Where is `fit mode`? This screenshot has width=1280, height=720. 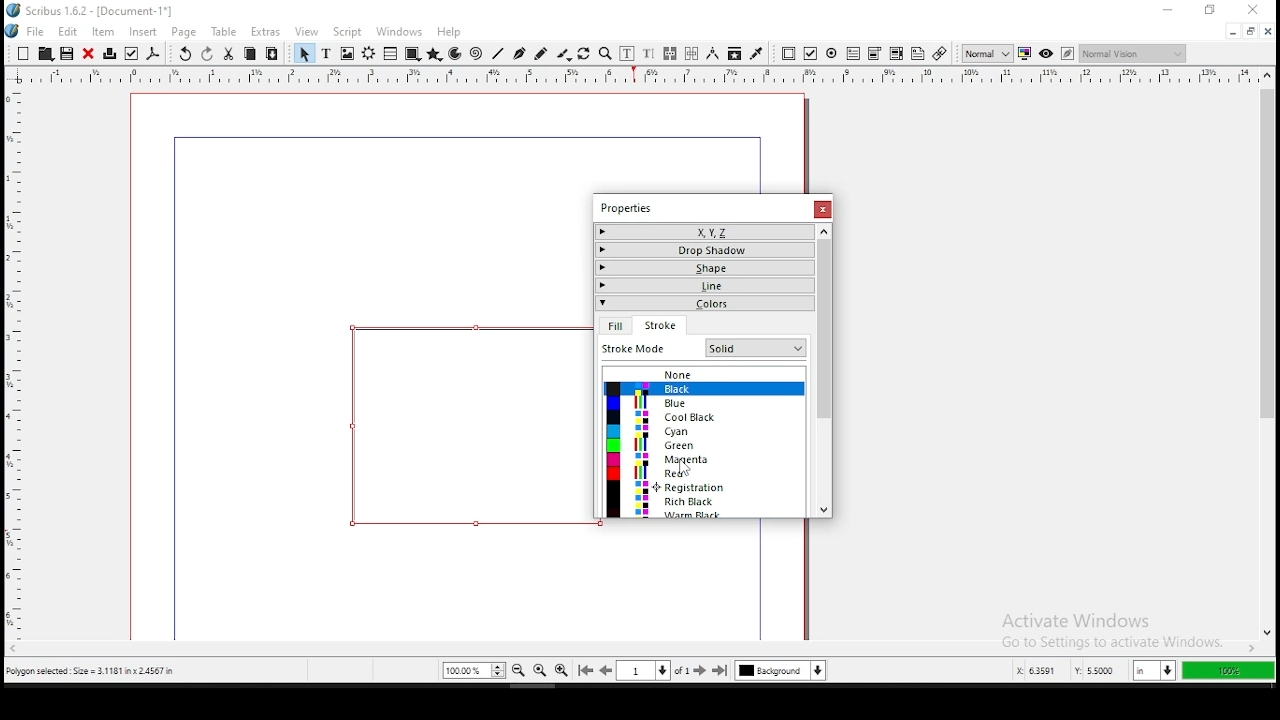
fit mode is located at coordinates (648, 348).